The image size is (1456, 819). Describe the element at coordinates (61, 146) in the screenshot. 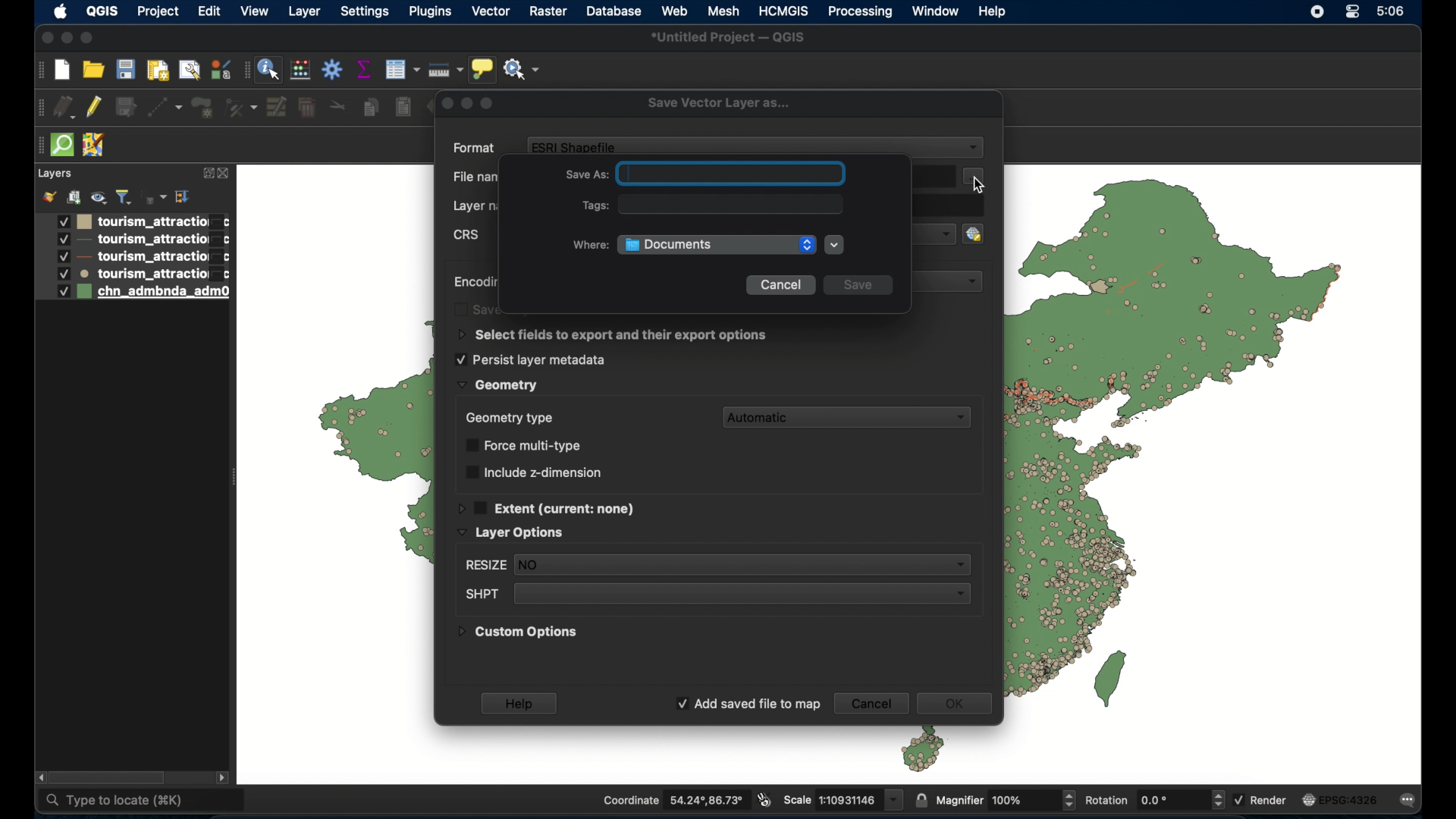

I see `quick osm` at that location.